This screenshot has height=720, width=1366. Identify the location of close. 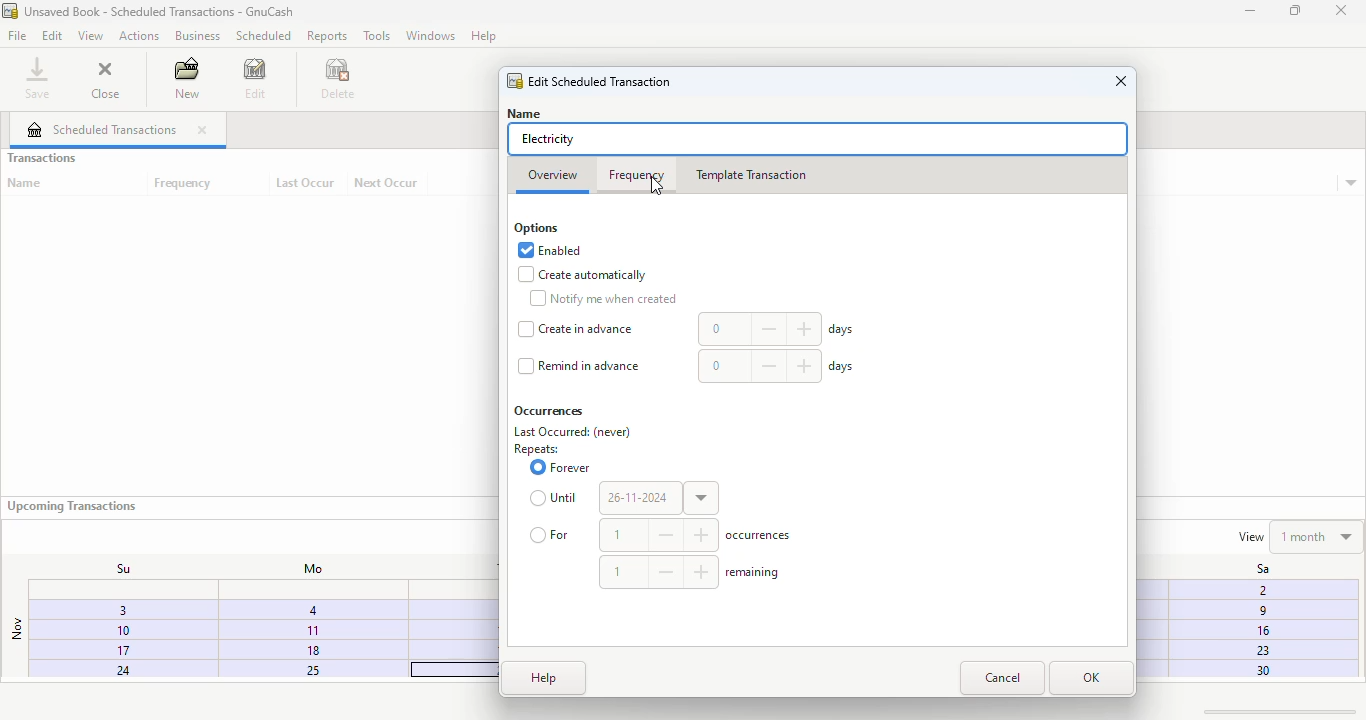
(1121, 81).